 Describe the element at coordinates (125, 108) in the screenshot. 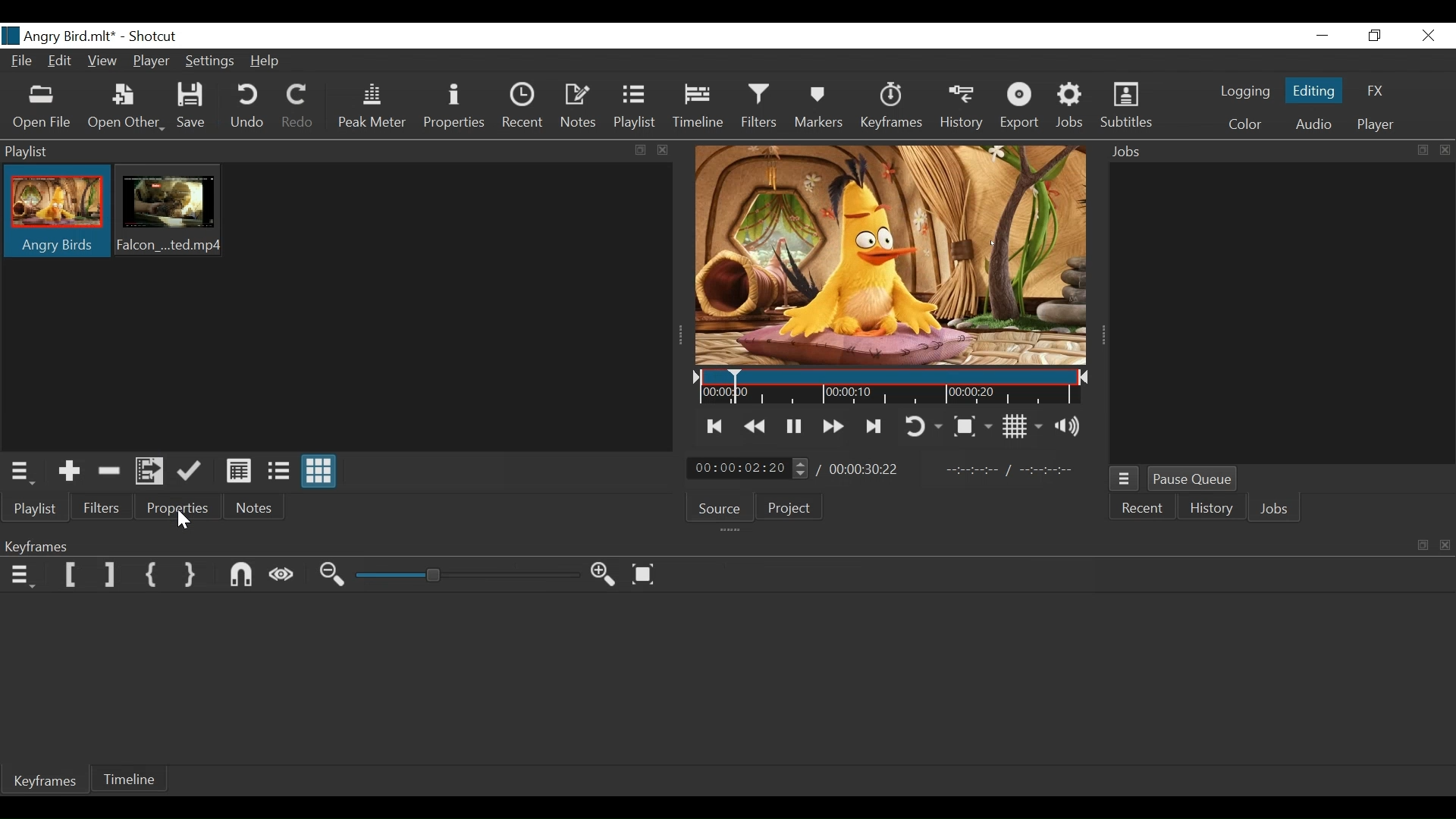

I see `Open Other` at that location.